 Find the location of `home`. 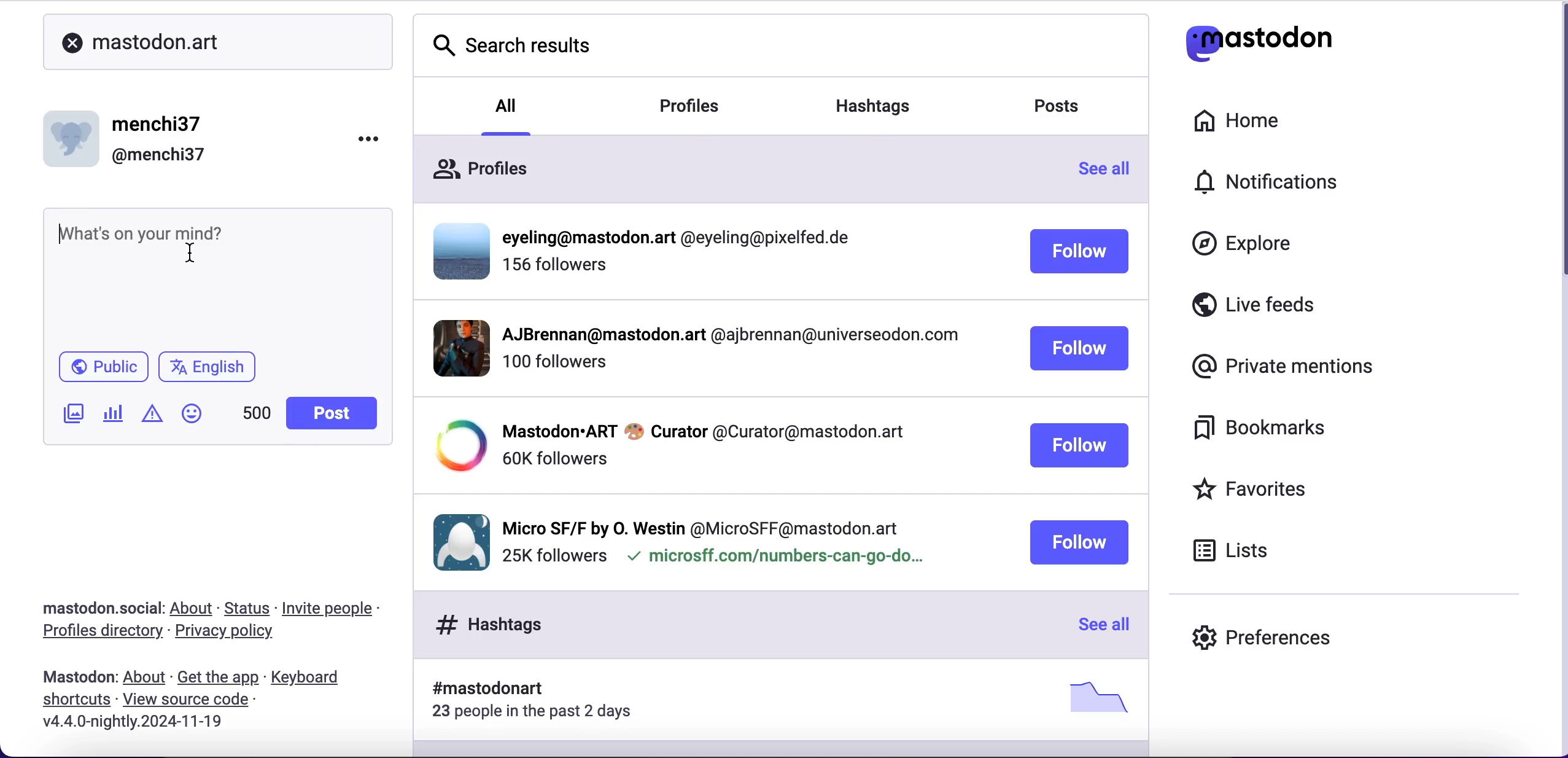

home is located at coordinates (1241, 122).